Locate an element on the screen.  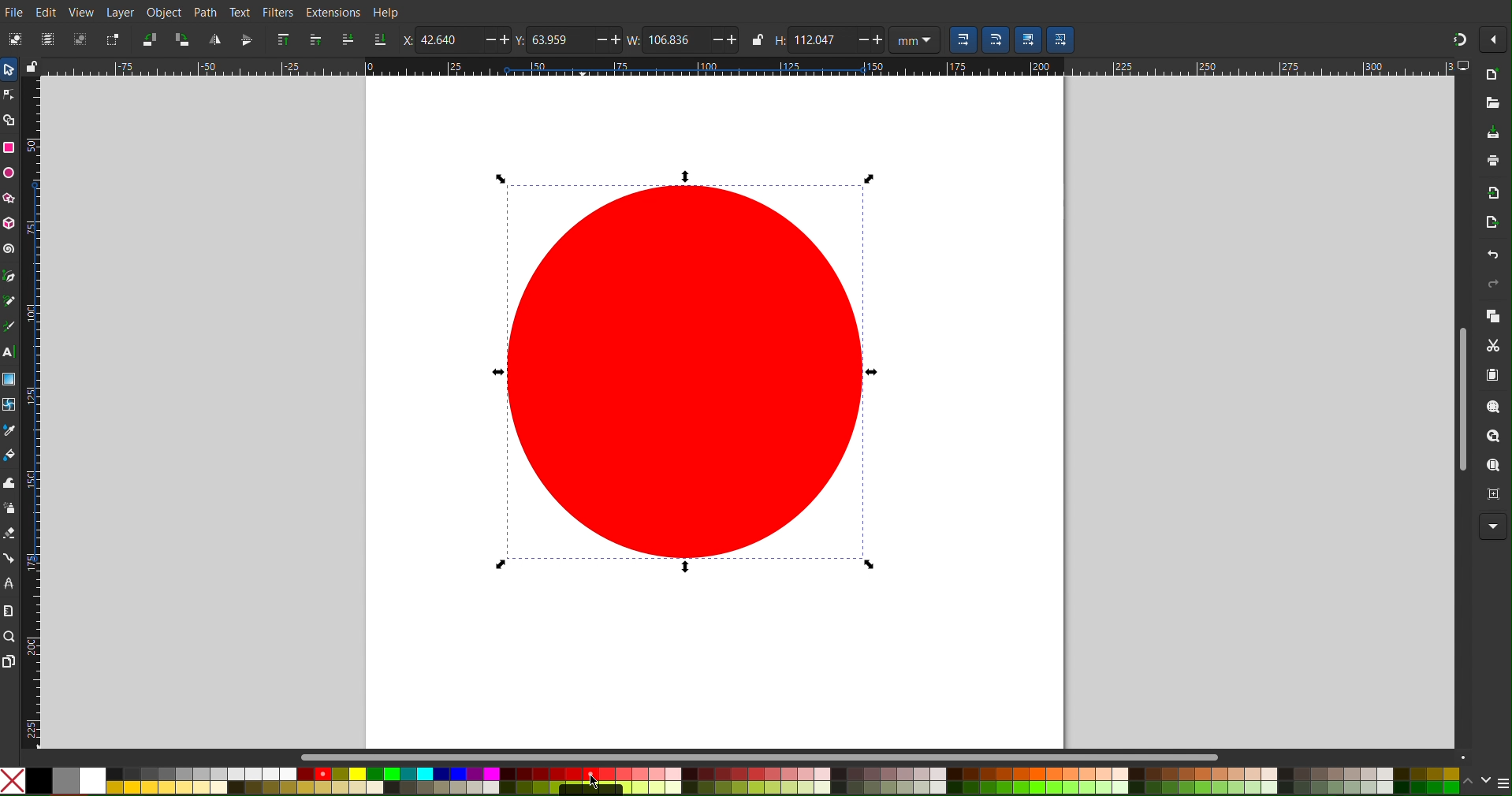
Color Options is located at coordinates (731, 781).